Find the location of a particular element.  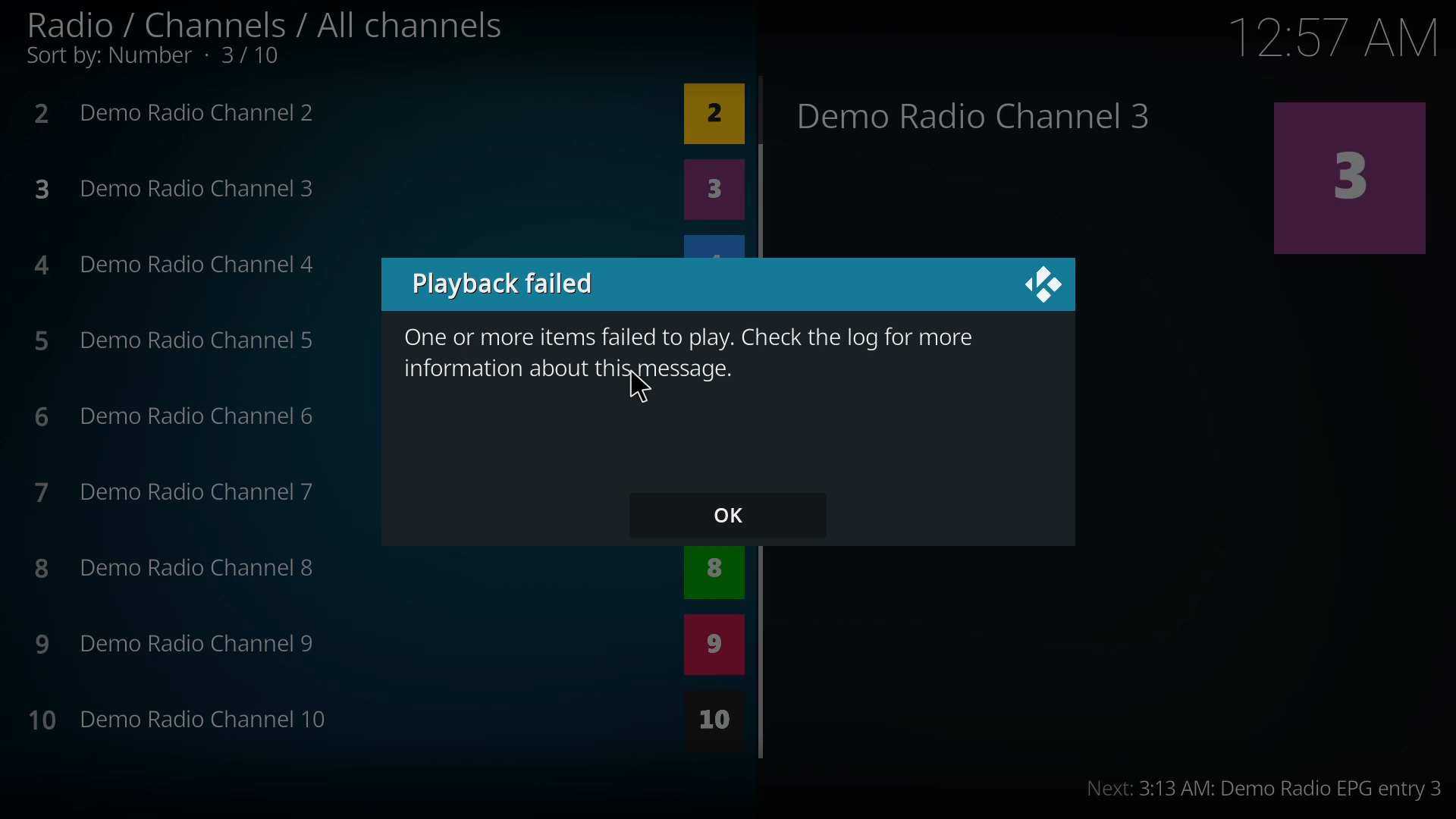

3 Demo Radio Channel 3 is located at coordinates (172, 193).